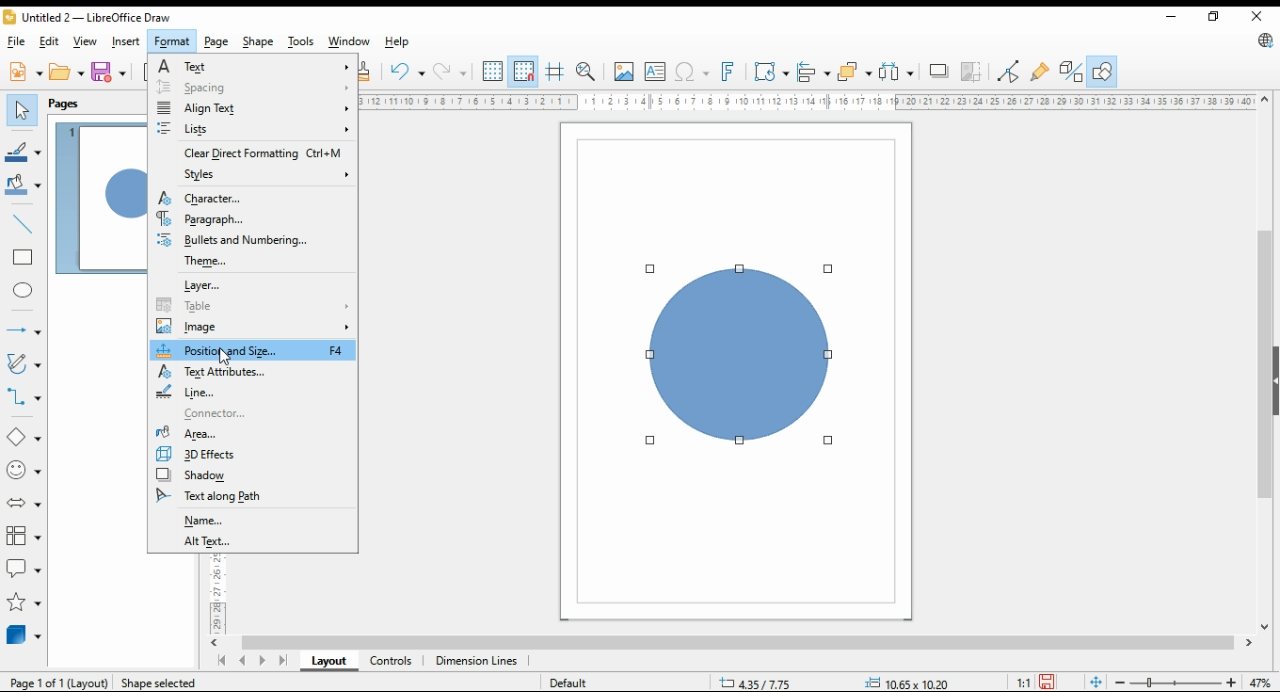 This screenshot has height=692, width=1280. What do you see at coordinates (49, 41) in the screenshot?
I see `edit` at bounding box center [49, 41].